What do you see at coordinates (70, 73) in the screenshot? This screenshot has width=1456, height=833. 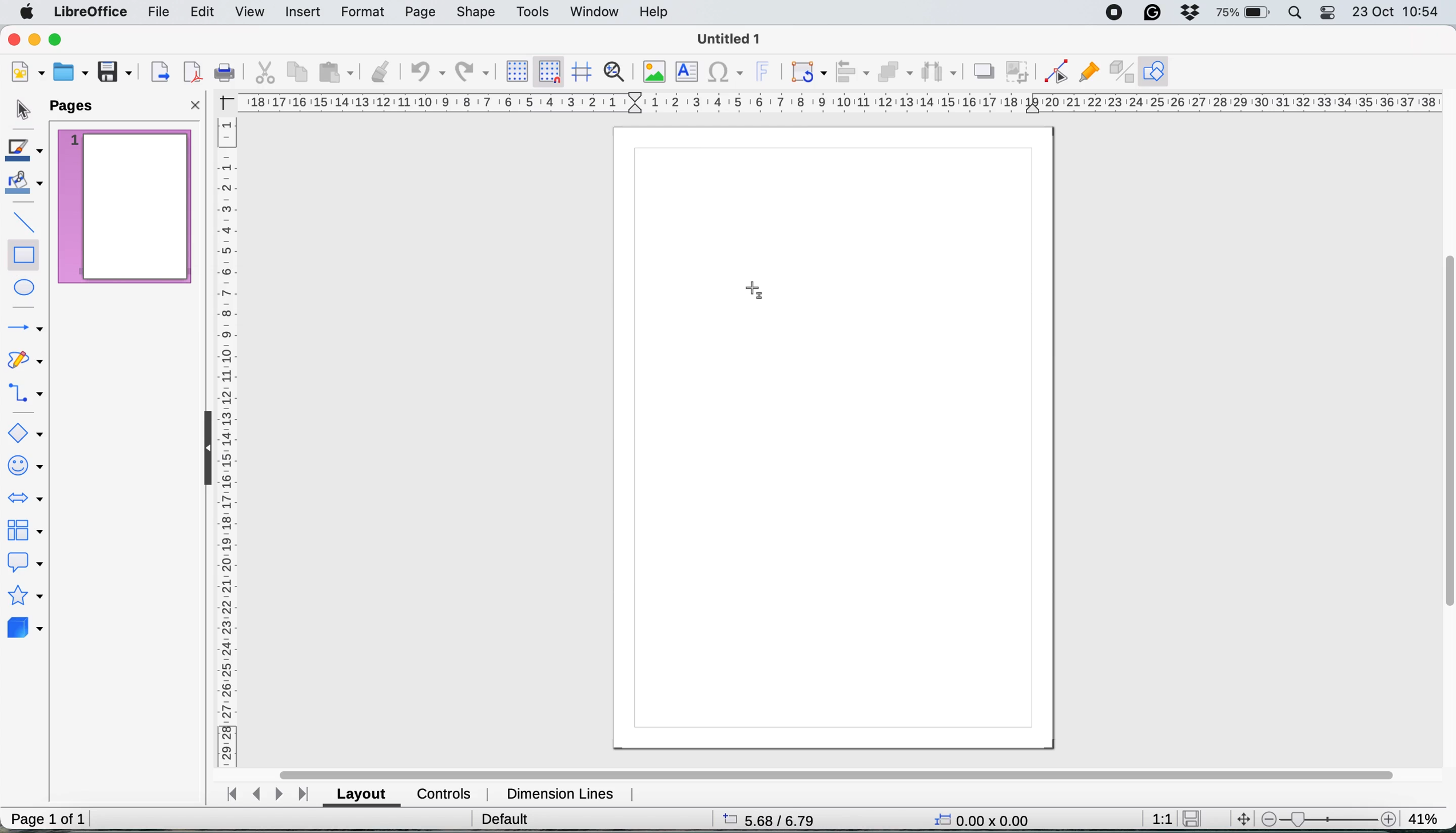 I see `open` at bounding box center [70, 73].